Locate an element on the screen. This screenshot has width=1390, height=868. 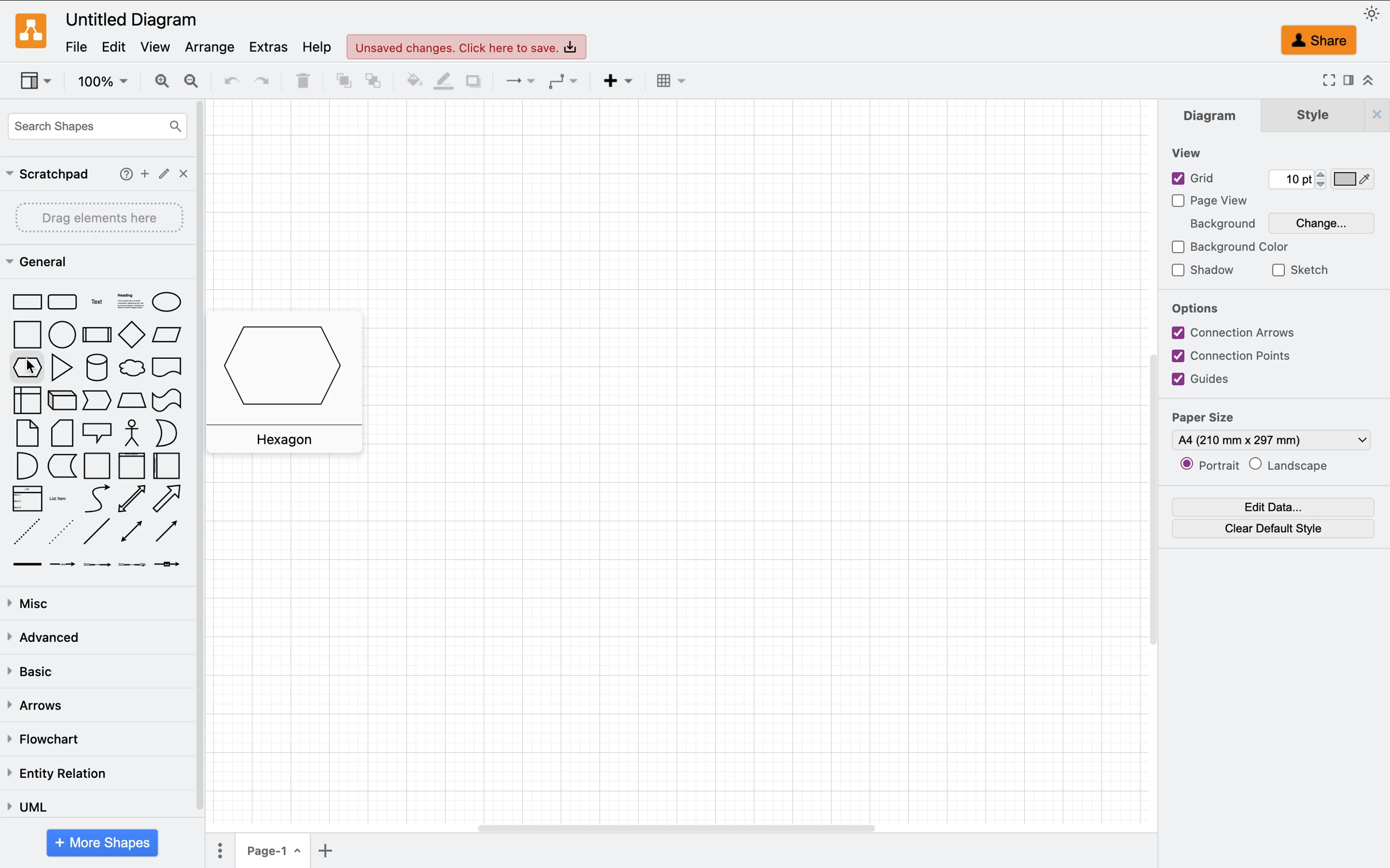
connector with symbol is located at coordinates (175, 568).